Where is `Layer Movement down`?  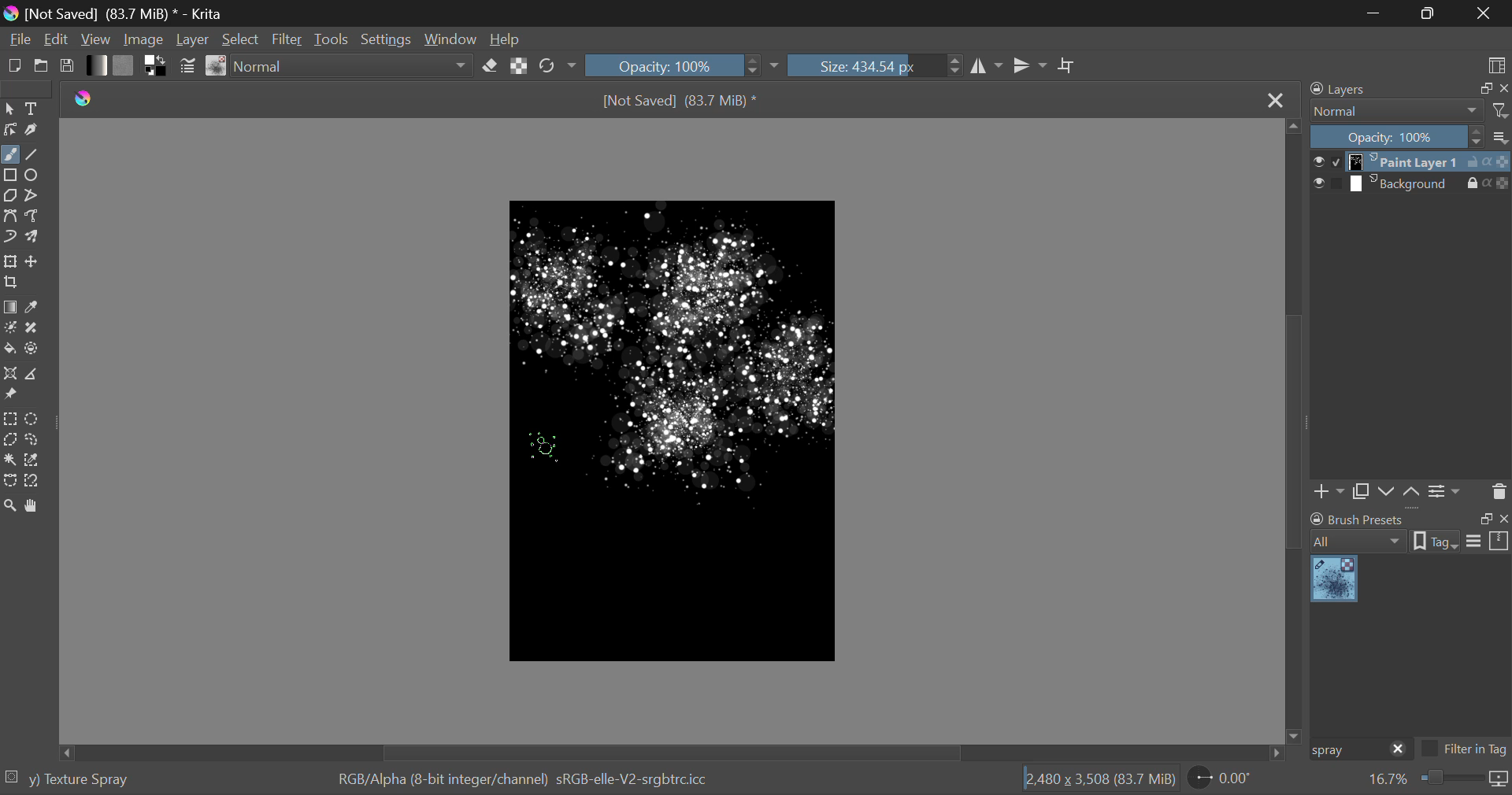
Layer Movement down is located at coordinates (1388, 493).